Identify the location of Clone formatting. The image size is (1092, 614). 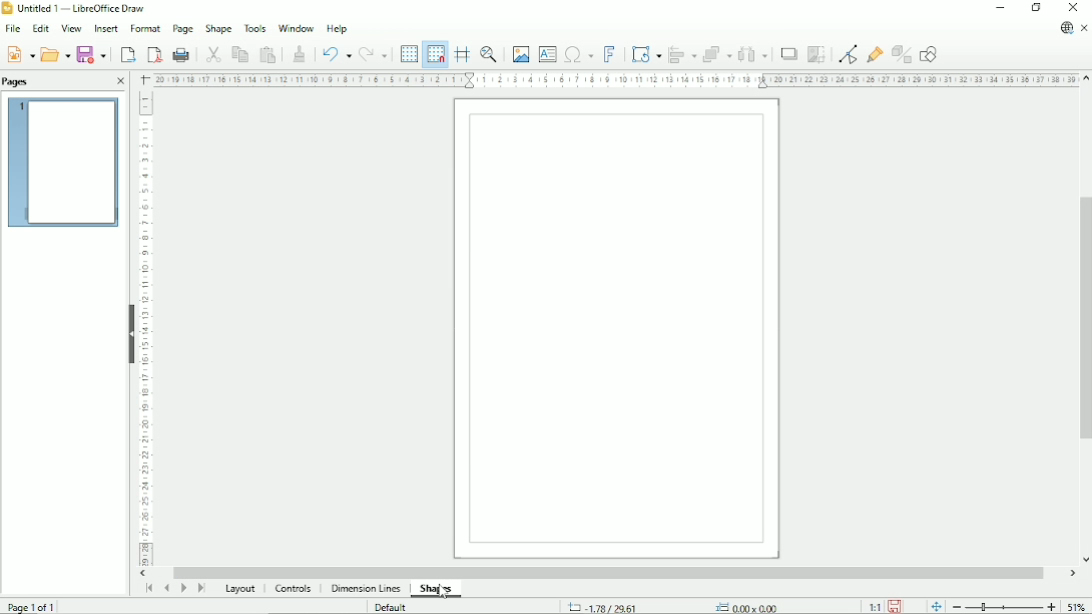
(298, 52).